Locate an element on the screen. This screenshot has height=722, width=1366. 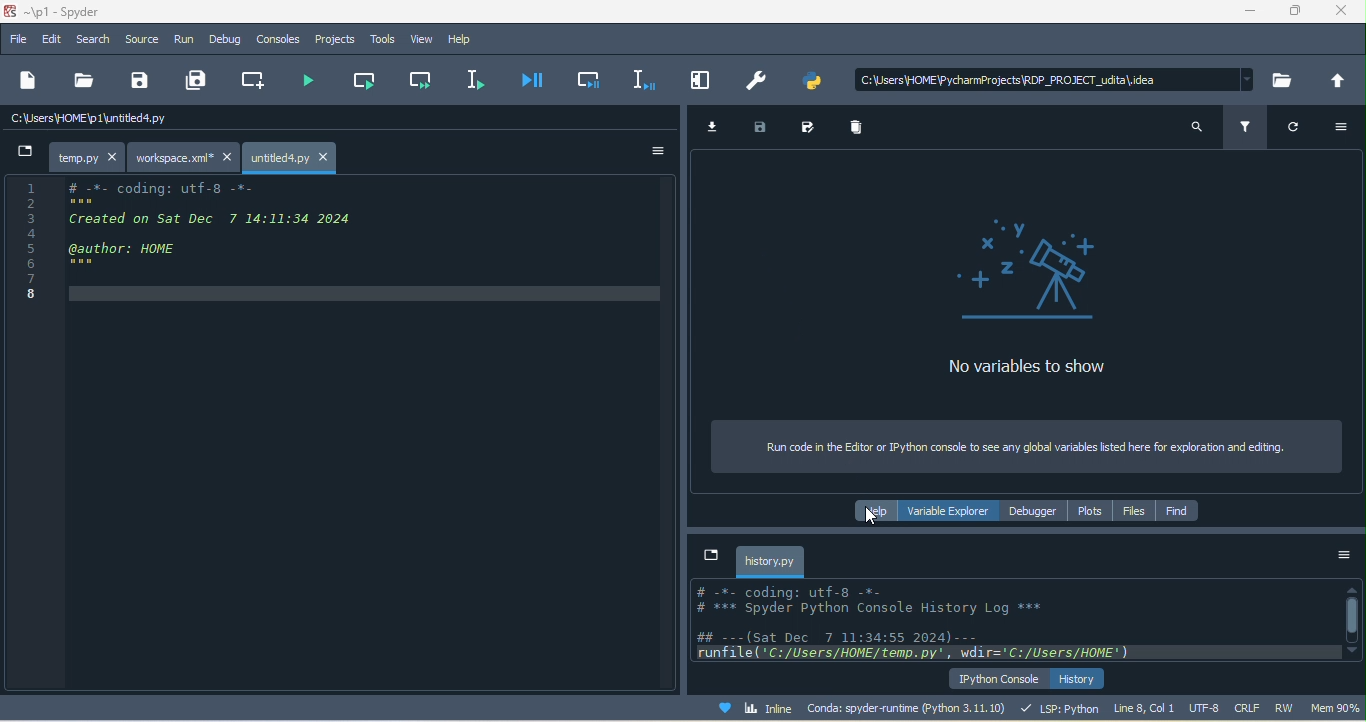
edit is located at coordinates (55, 40).